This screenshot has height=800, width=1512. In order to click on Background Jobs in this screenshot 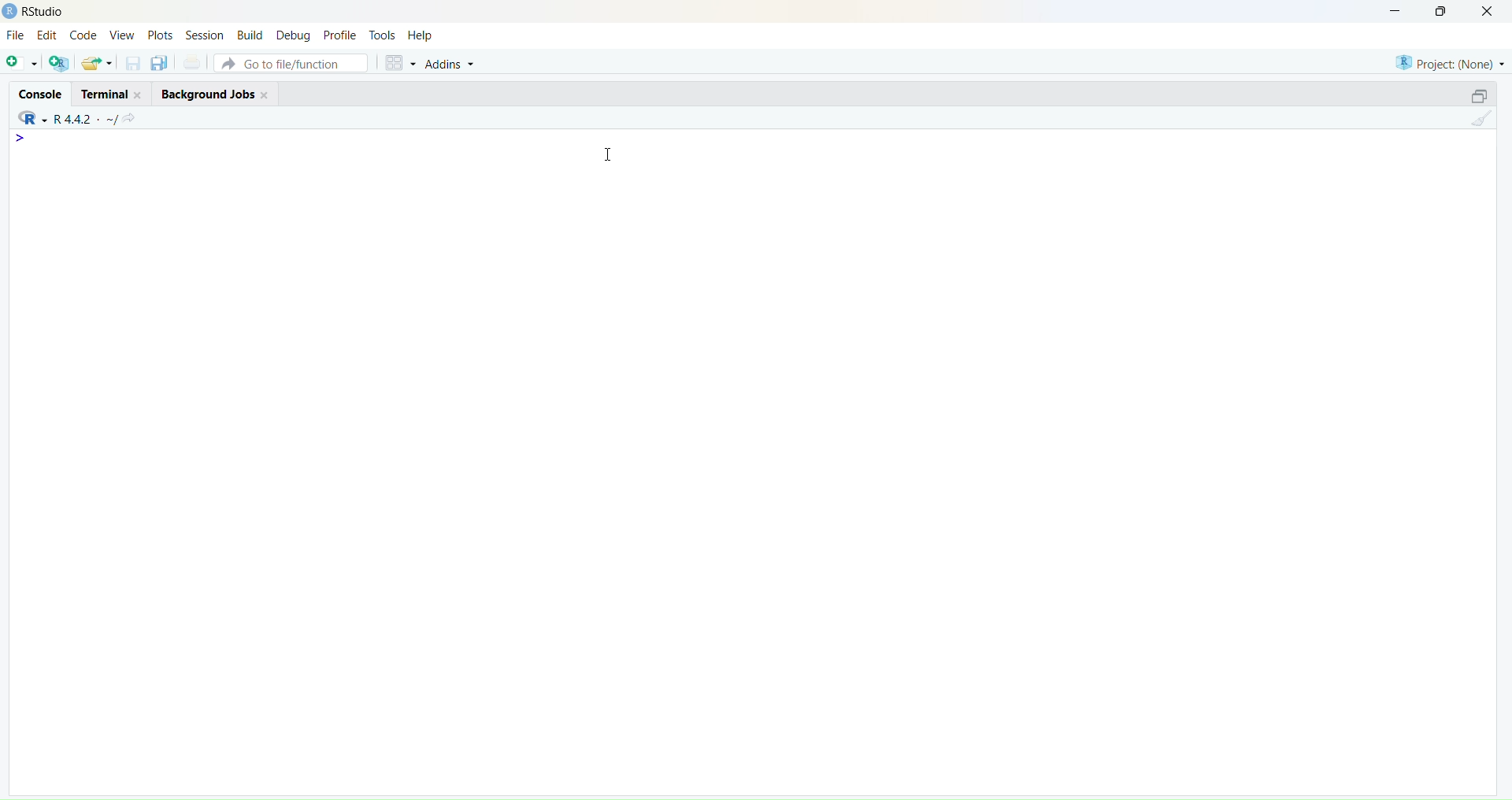, I will do `click(216, 93)`.